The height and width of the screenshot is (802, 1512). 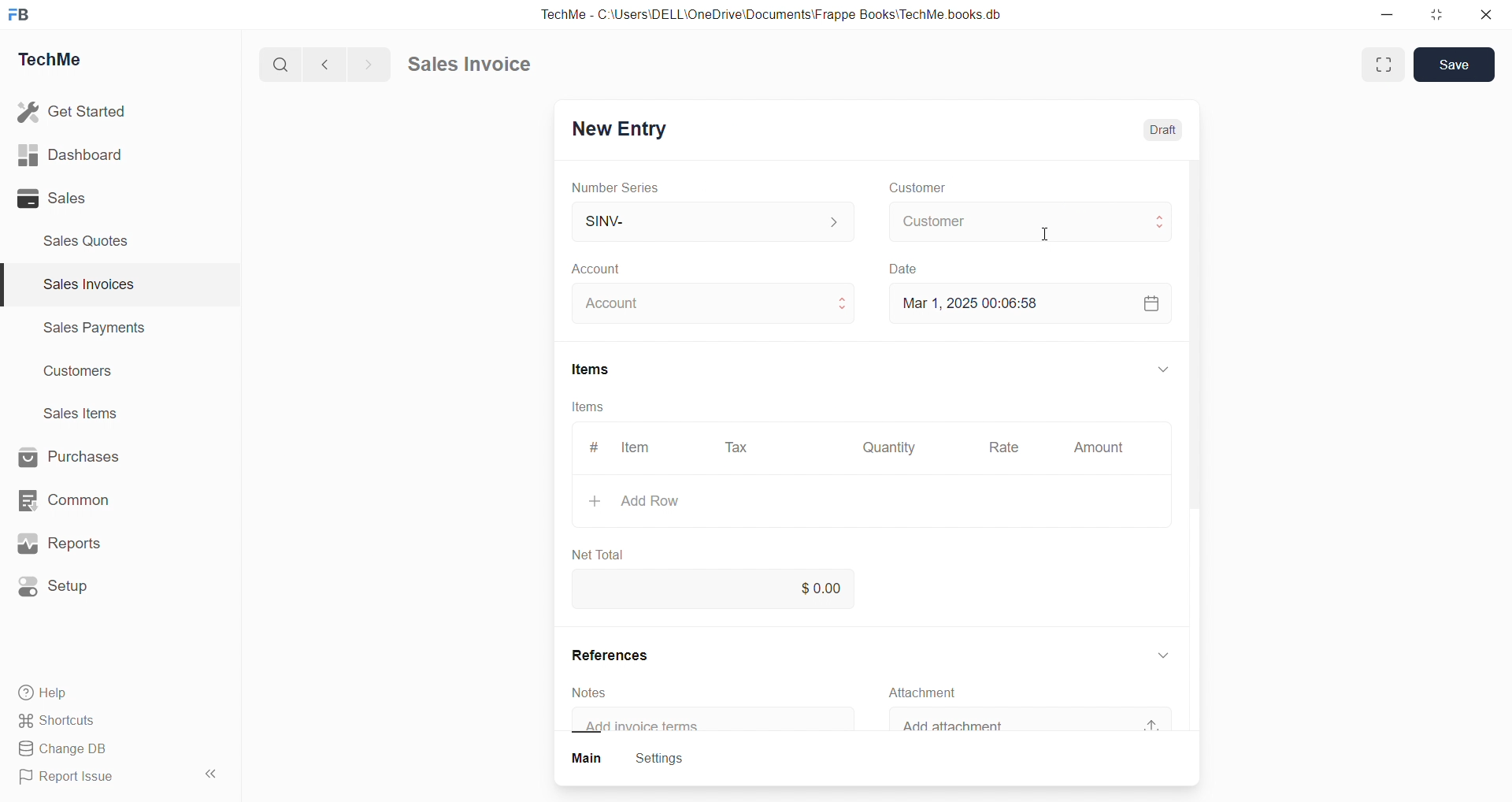 What do you see at coordinates (844, 304) in the screenshot?
I see `Increase decrease button` at bounding box center [844, 304].